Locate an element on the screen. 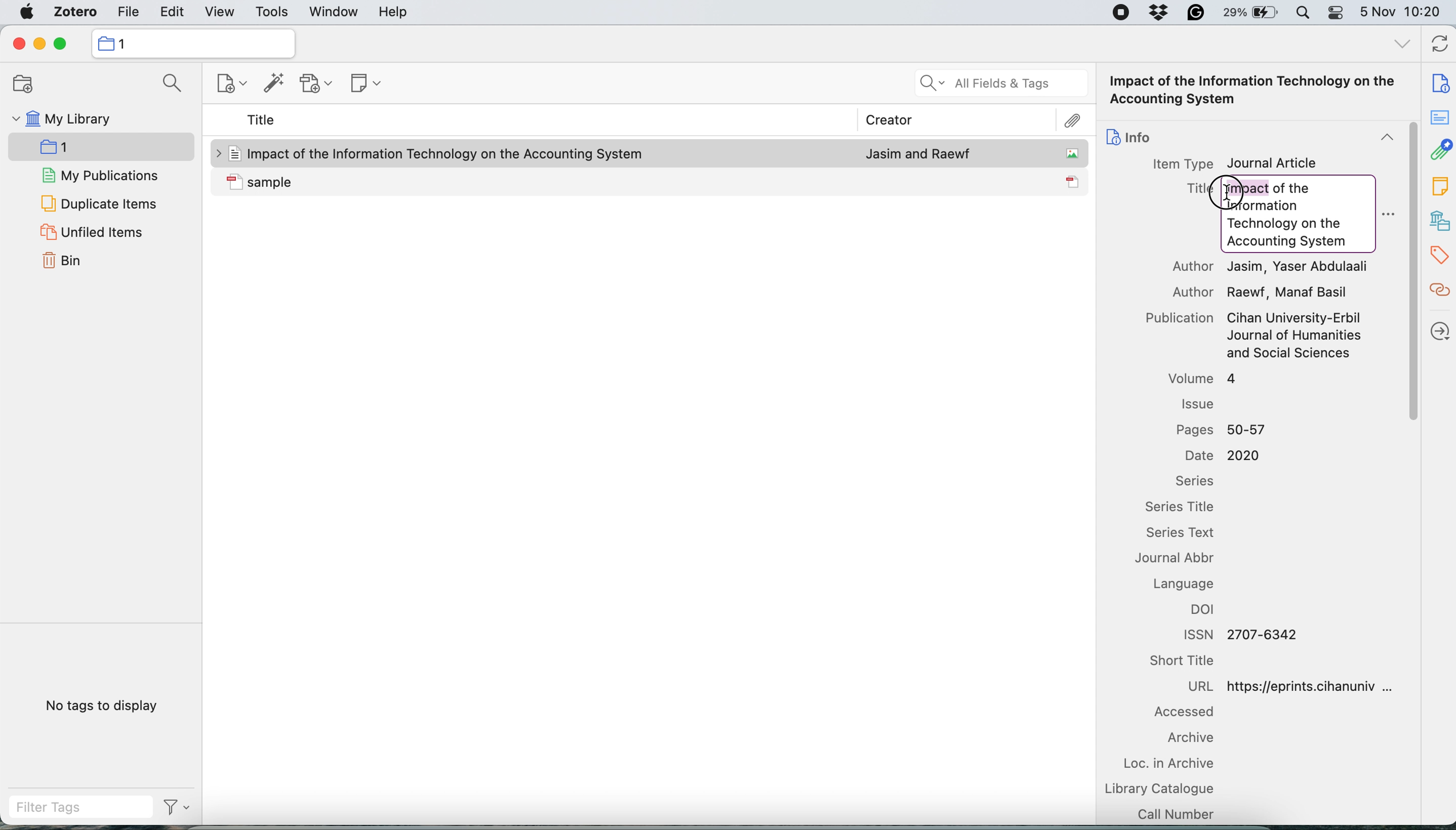 The height and width of the screenshot is (830, 1456). ISSN 2707-6342 is located at coordinates (1244, 634).